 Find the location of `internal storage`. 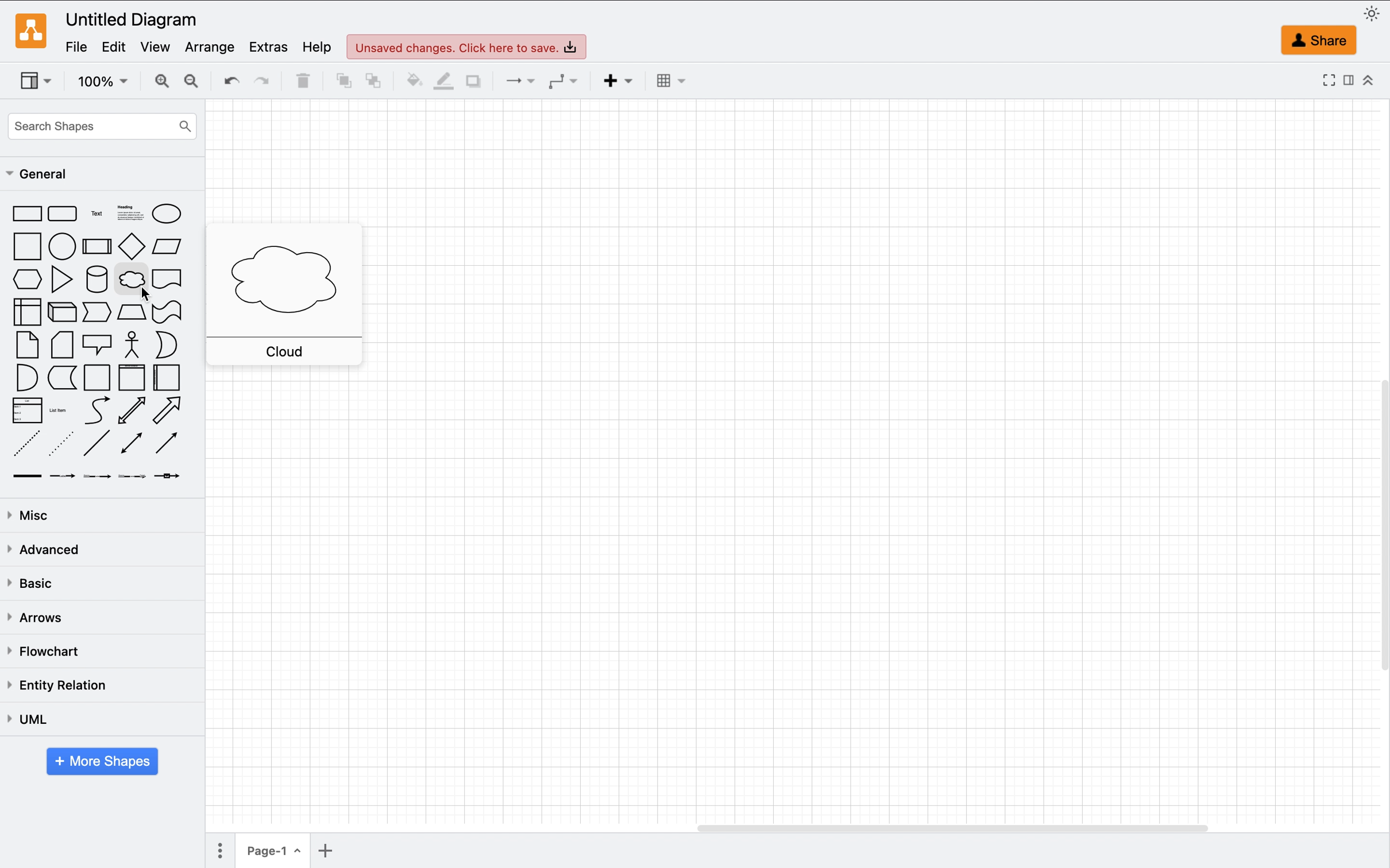

internal storage is located at coordinates (29, 315).